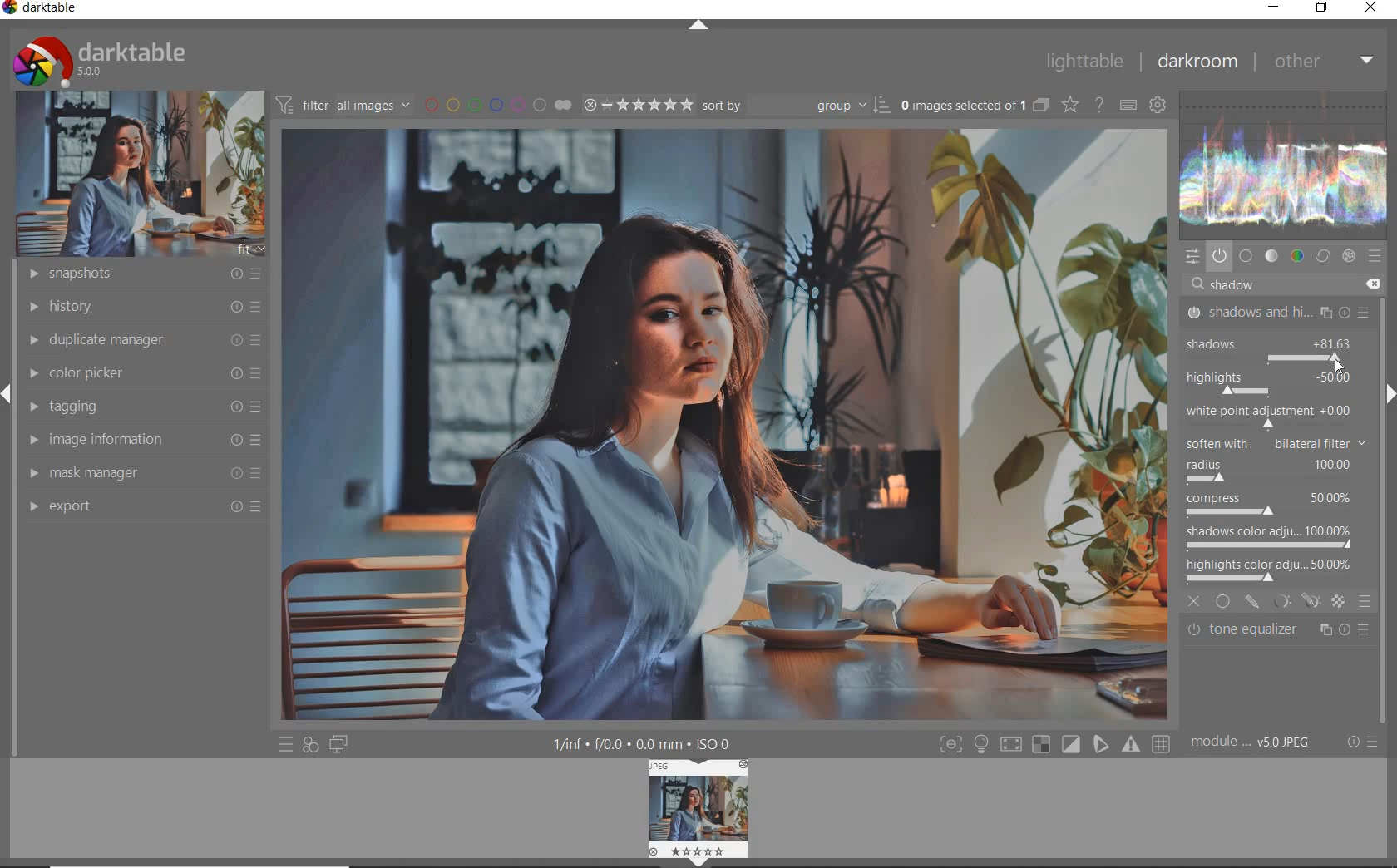 The width and height of the screenshot is (1397, 868). I want to click on cursor position, so click(1338, 364).